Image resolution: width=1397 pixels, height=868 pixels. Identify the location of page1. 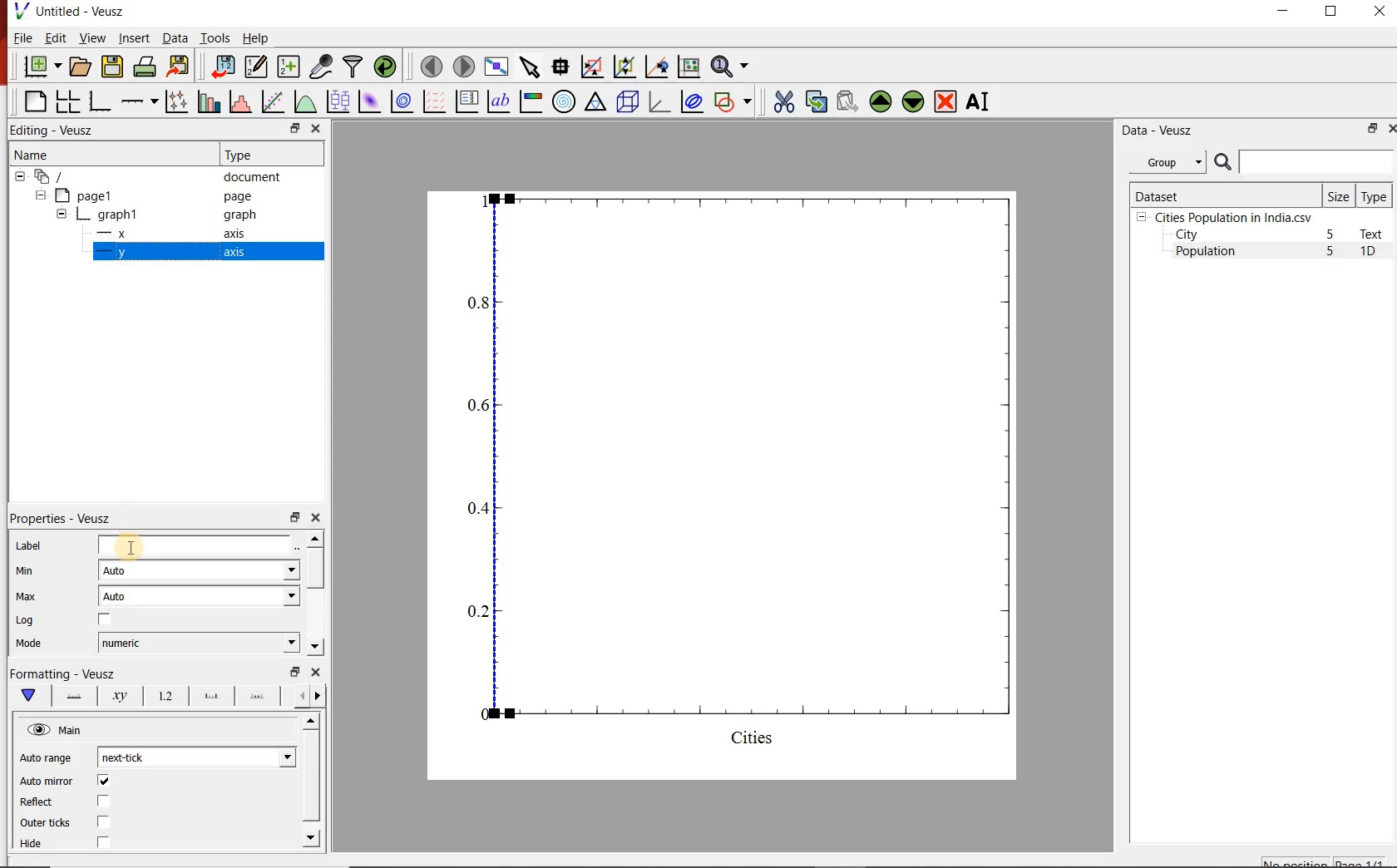
(149, 195).